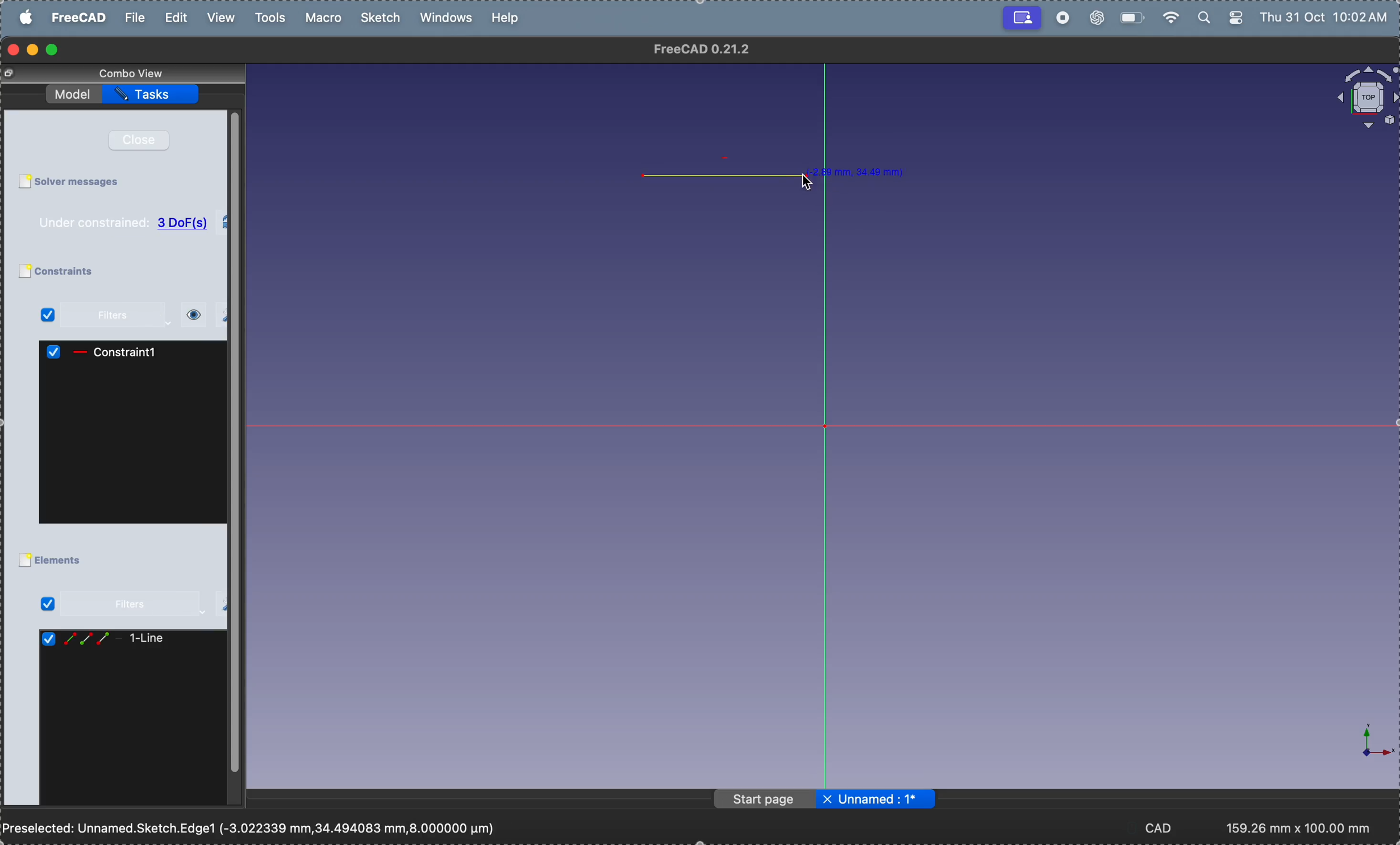 This screenshot has width=1400, height=845. Describe the element at coordinates (47, 604) in the screenshot. I see `Checked Checkbox` at that location.